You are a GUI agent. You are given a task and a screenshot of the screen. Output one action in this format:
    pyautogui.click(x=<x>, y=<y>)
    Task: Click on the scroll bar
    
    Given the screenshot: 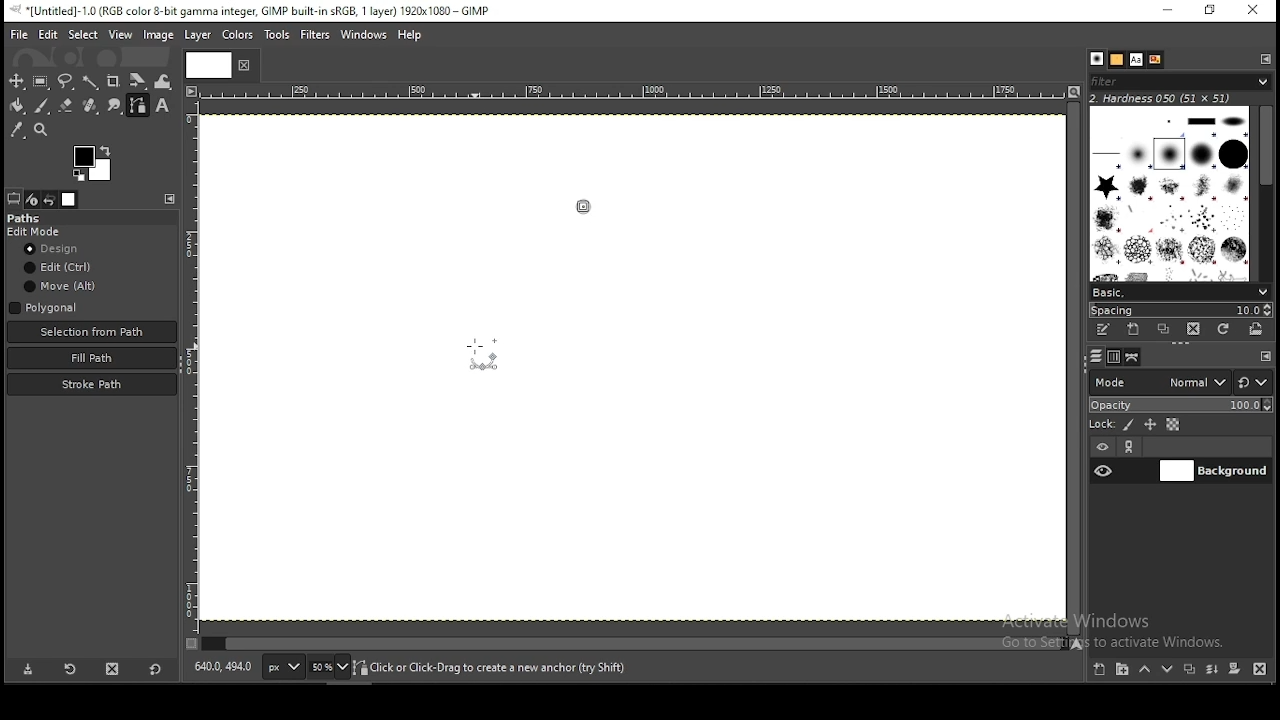 What is the action you would take?
    pyautogui.click(x=1073, y=368)
    